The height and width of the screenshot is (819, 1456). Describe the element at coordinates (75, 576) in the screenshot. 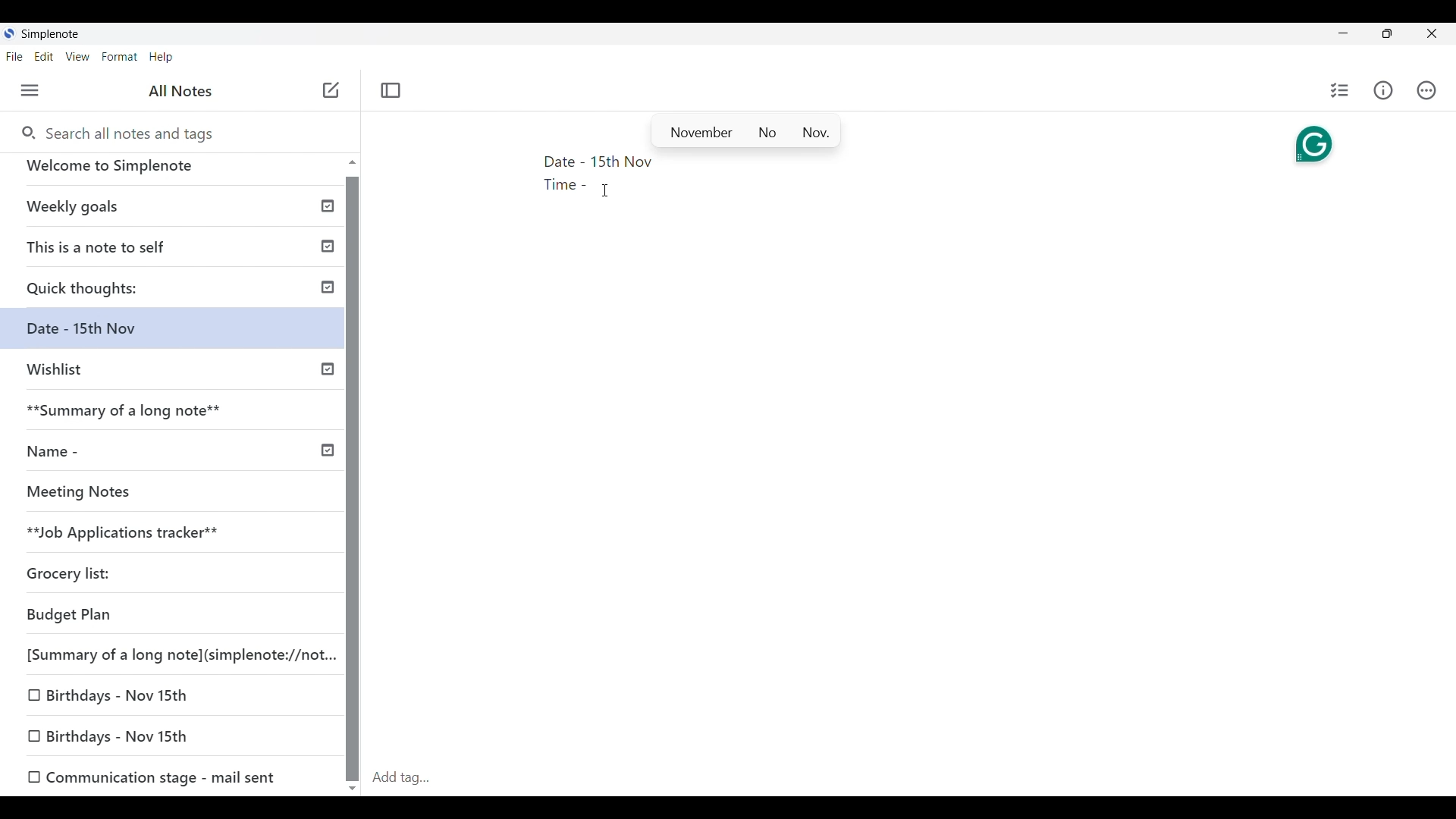

I see `Unpublished note` at that location.